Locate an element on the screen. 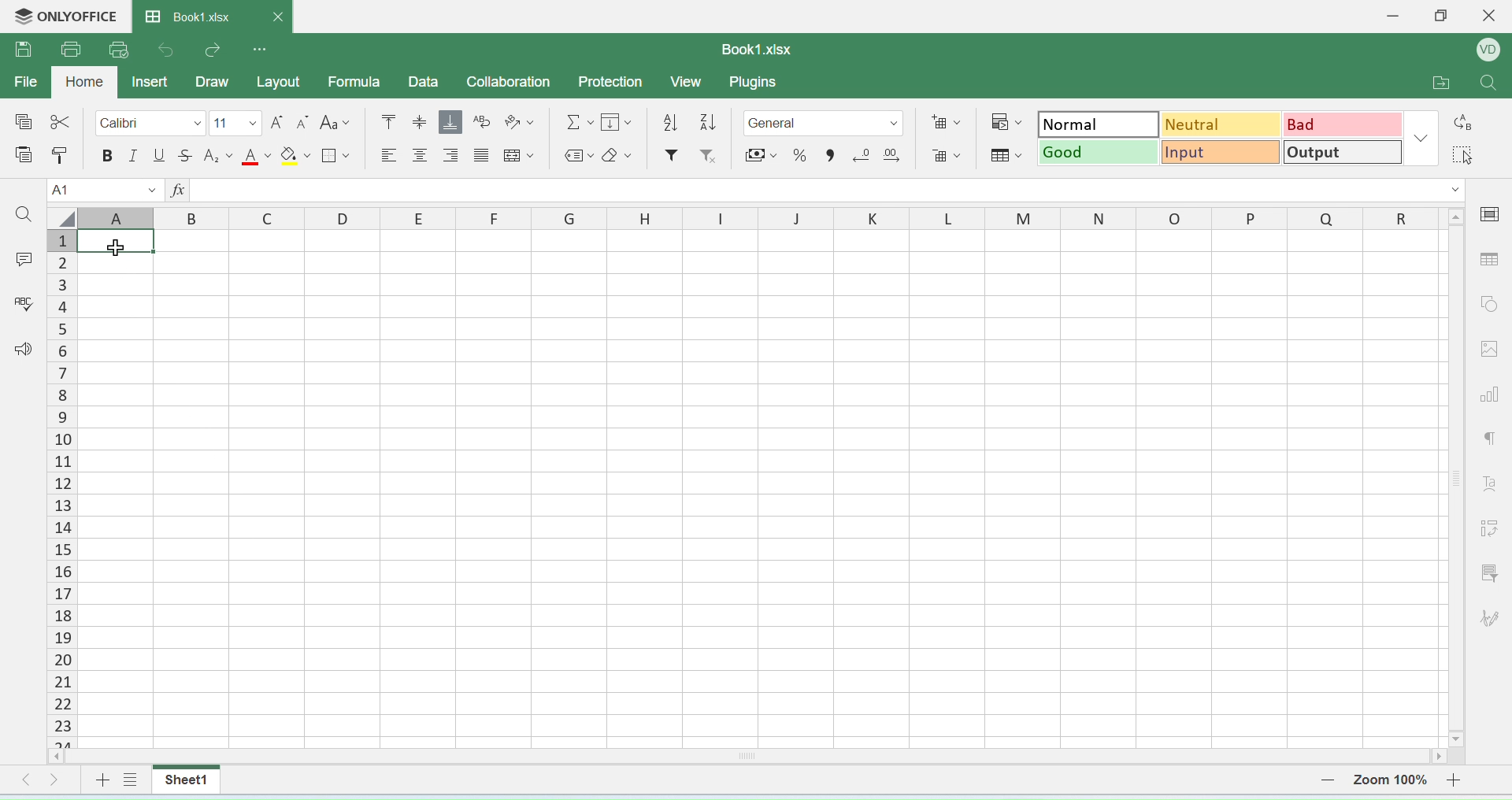 Image resolution: width=1512 pixels, height=800 pixels.  is located at coordinates (761, 156).